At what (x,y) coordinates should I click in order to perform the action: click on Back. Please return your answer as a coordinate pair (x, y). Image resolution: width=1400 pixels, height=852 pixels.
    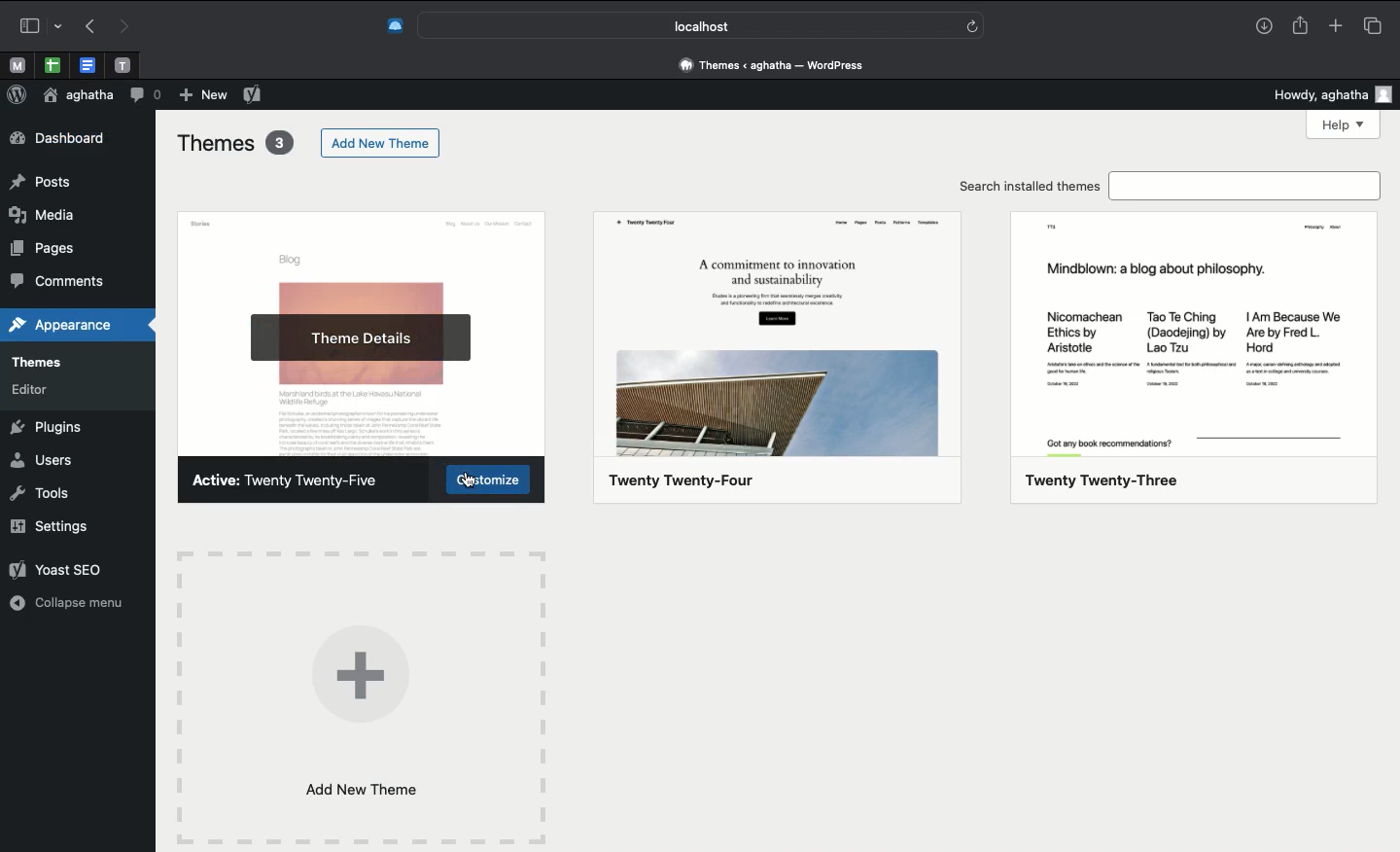
    Looking at the image, I should click on (89, 27).